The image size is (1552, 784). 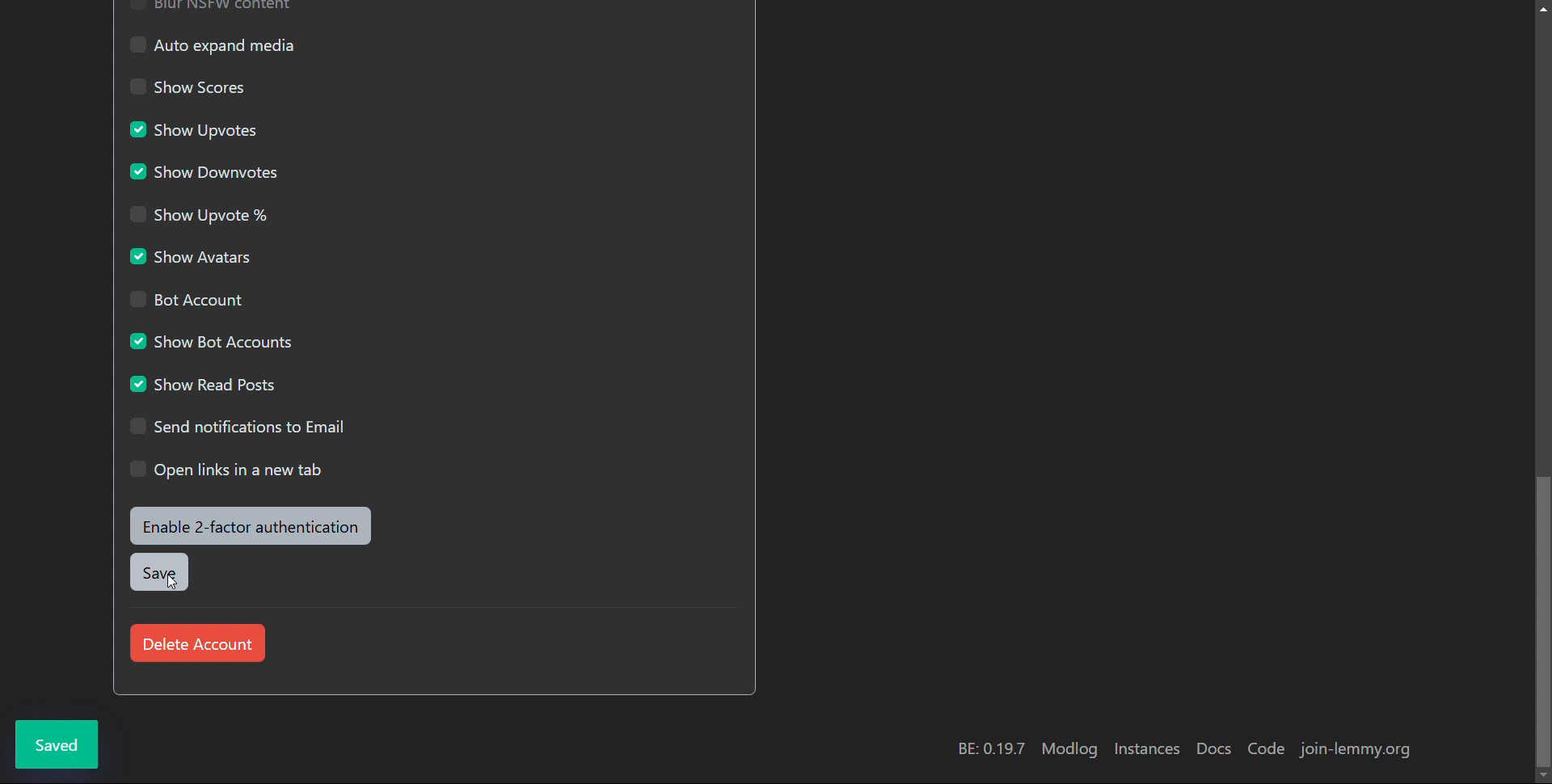 What do you see at coordinates (170, 580) in the screenshot?
I see `Cursor` at bounding box center [170, 580].